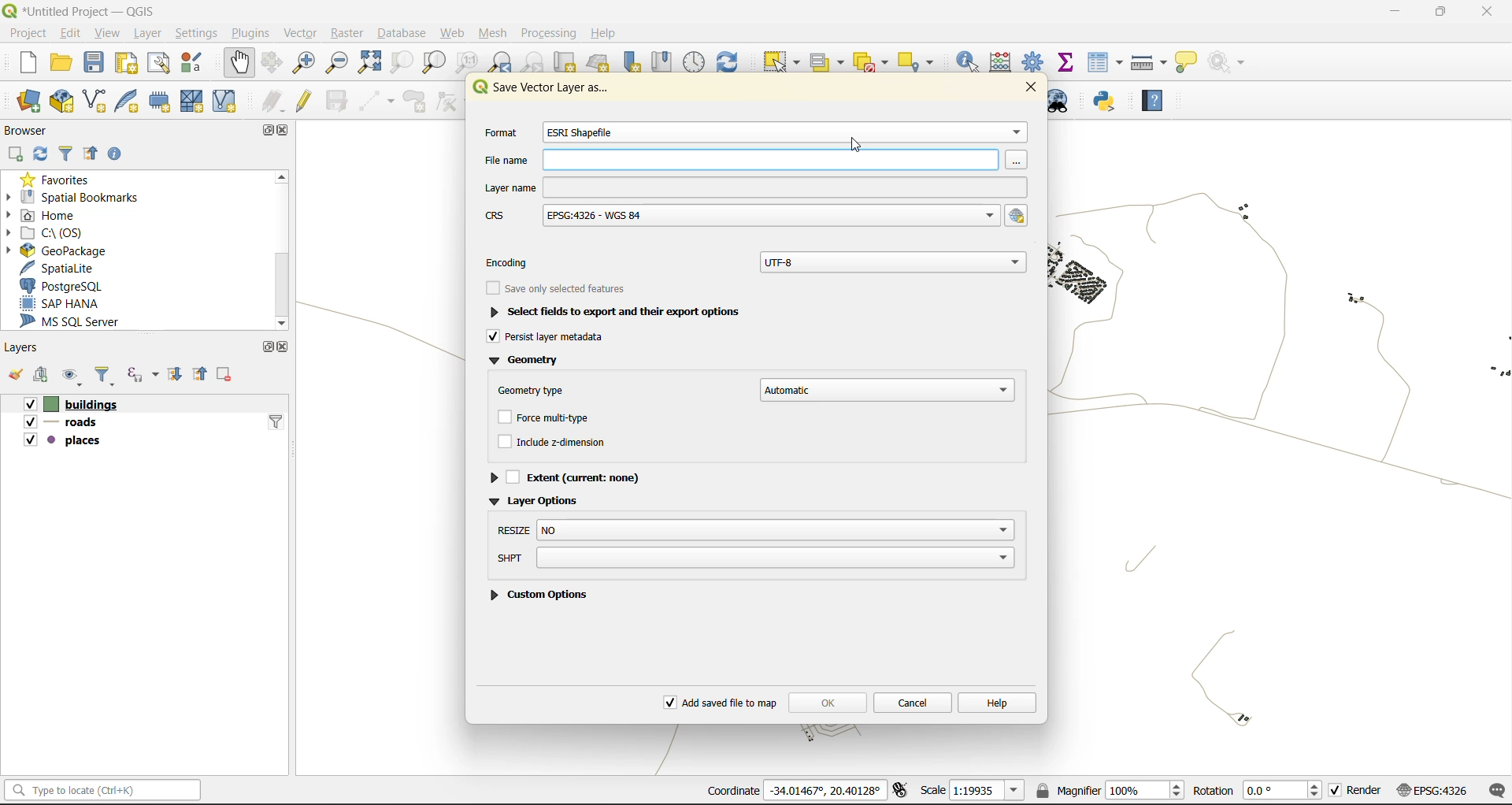 This screenshot has width=1512, height=805. What do you see at coordinates (128, 64) in the screenshot?
I see `print layout` at bounding box center [128, 64].